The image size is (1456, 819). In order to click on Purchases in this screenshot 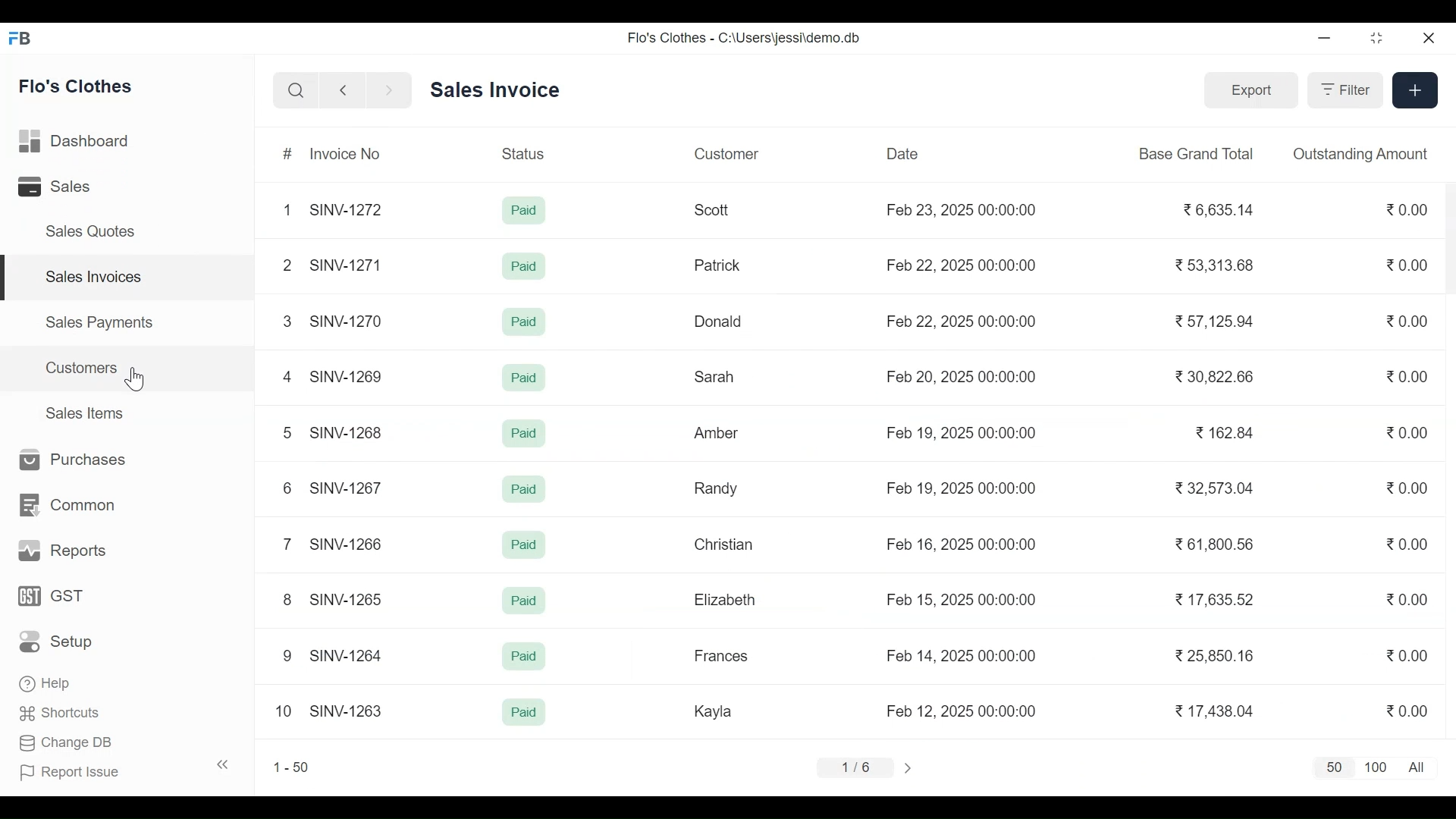, I will do `click(68, 460)`.